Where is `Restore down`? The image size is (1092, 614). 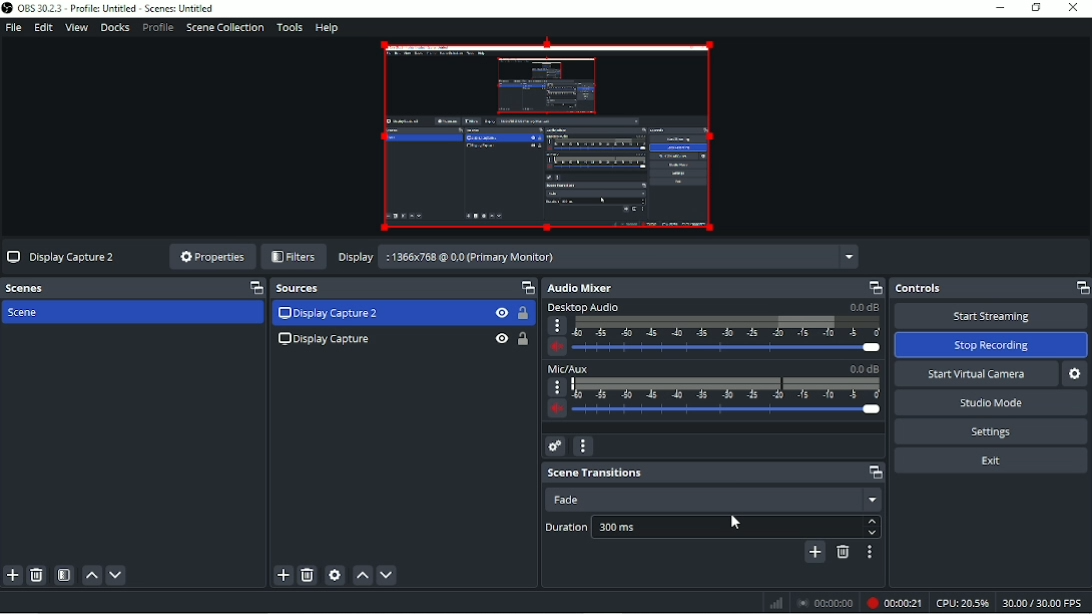 Restore down is located at coordinates (1036, 8).